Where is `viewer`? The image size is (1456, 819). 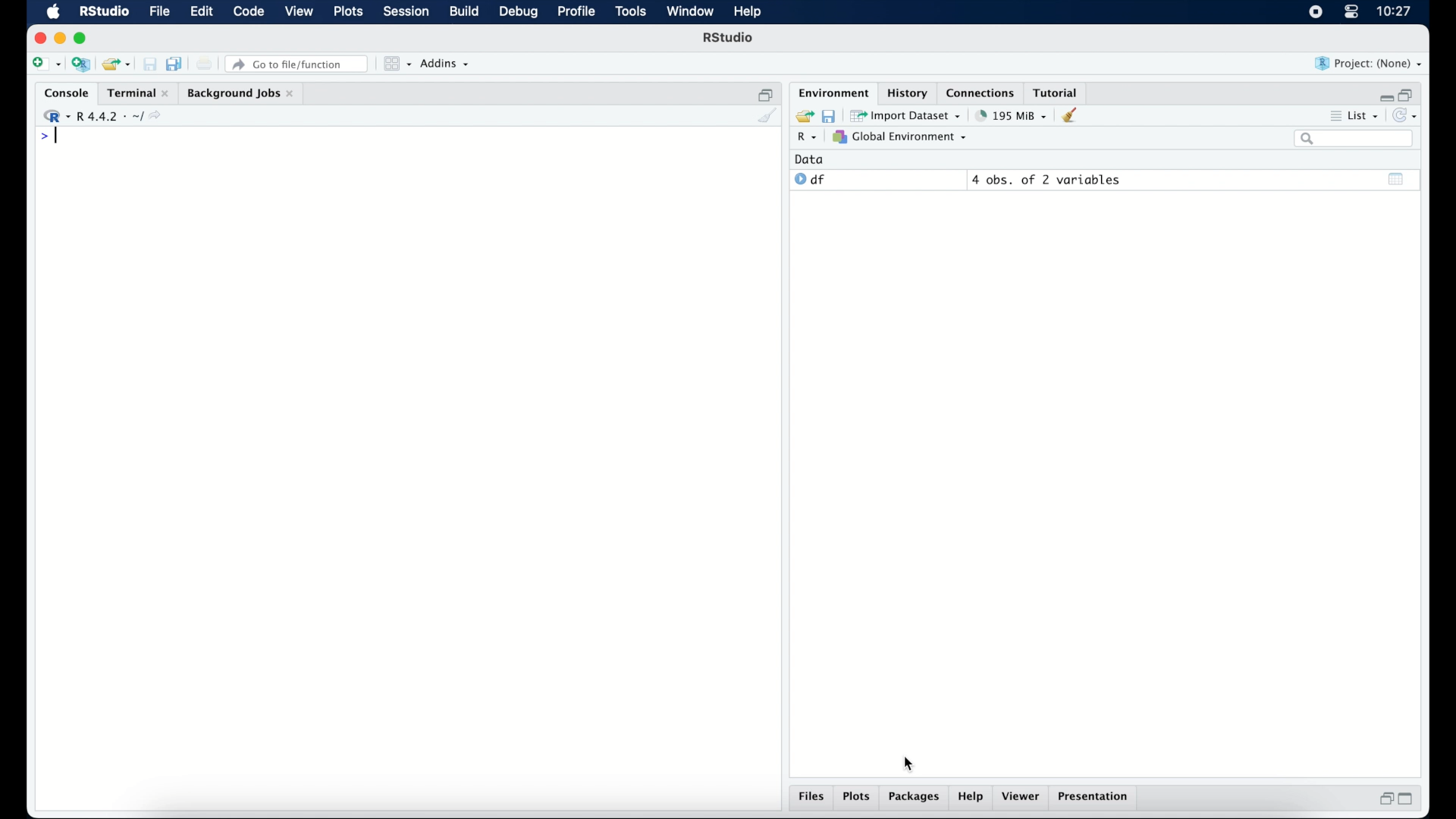
viewer is located at coordinates (1024, 798).